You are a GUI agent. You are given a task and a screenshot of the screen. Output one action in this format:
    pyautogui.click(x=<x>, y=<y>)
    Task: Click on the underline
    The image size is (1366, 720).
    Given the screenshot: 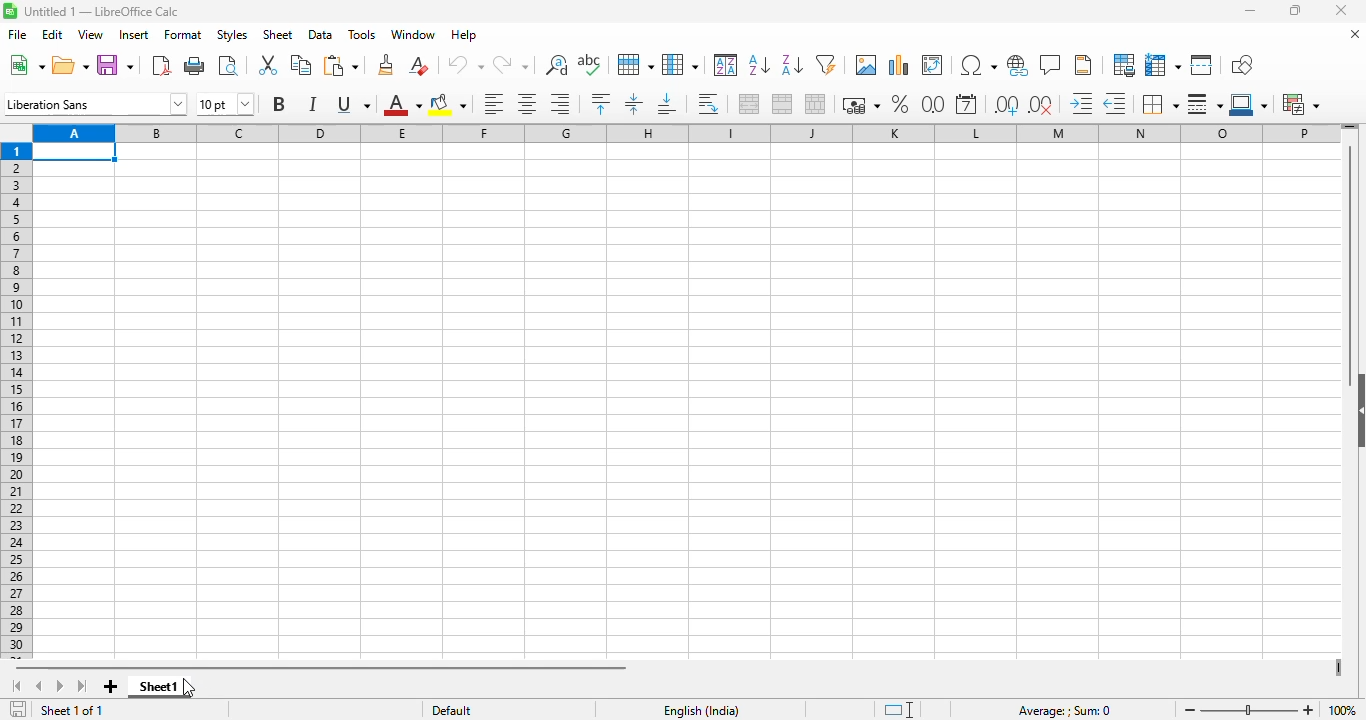 What is the action you would take?
    pyautogui.click(x=353, y=104)
    